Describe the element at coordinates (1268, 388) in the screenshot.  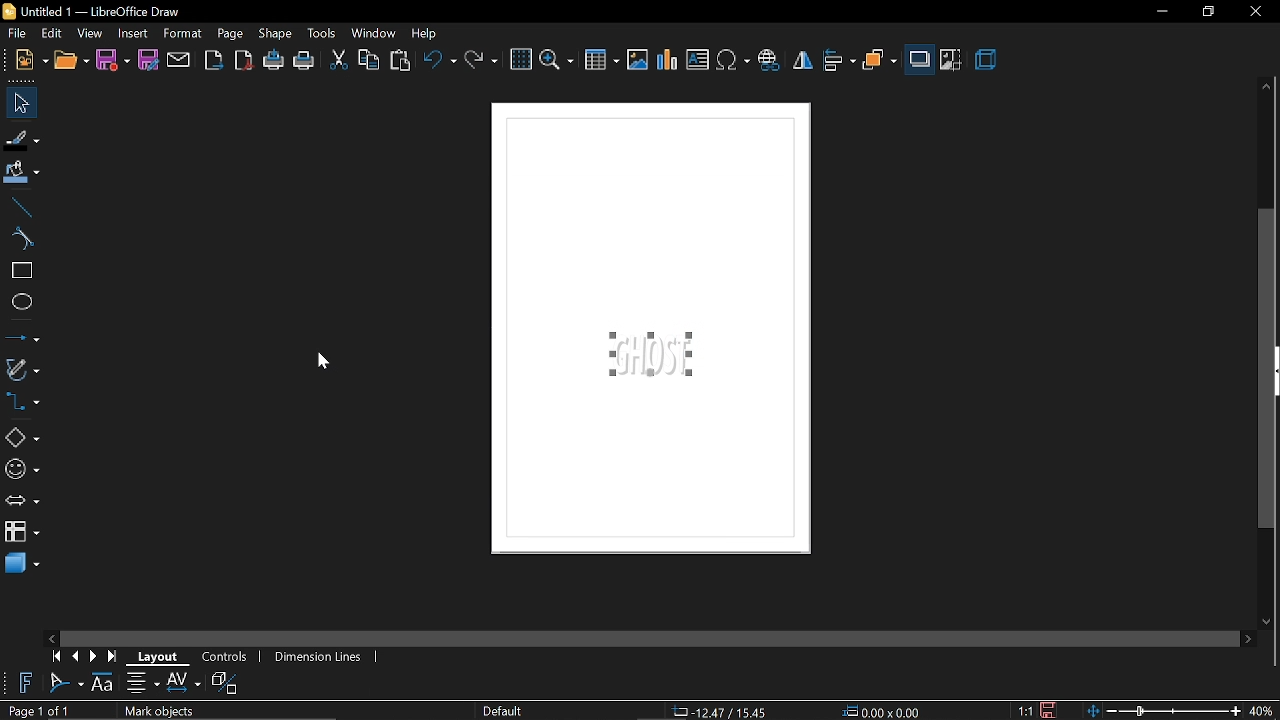
I see `vertical scrollbar` at that location.